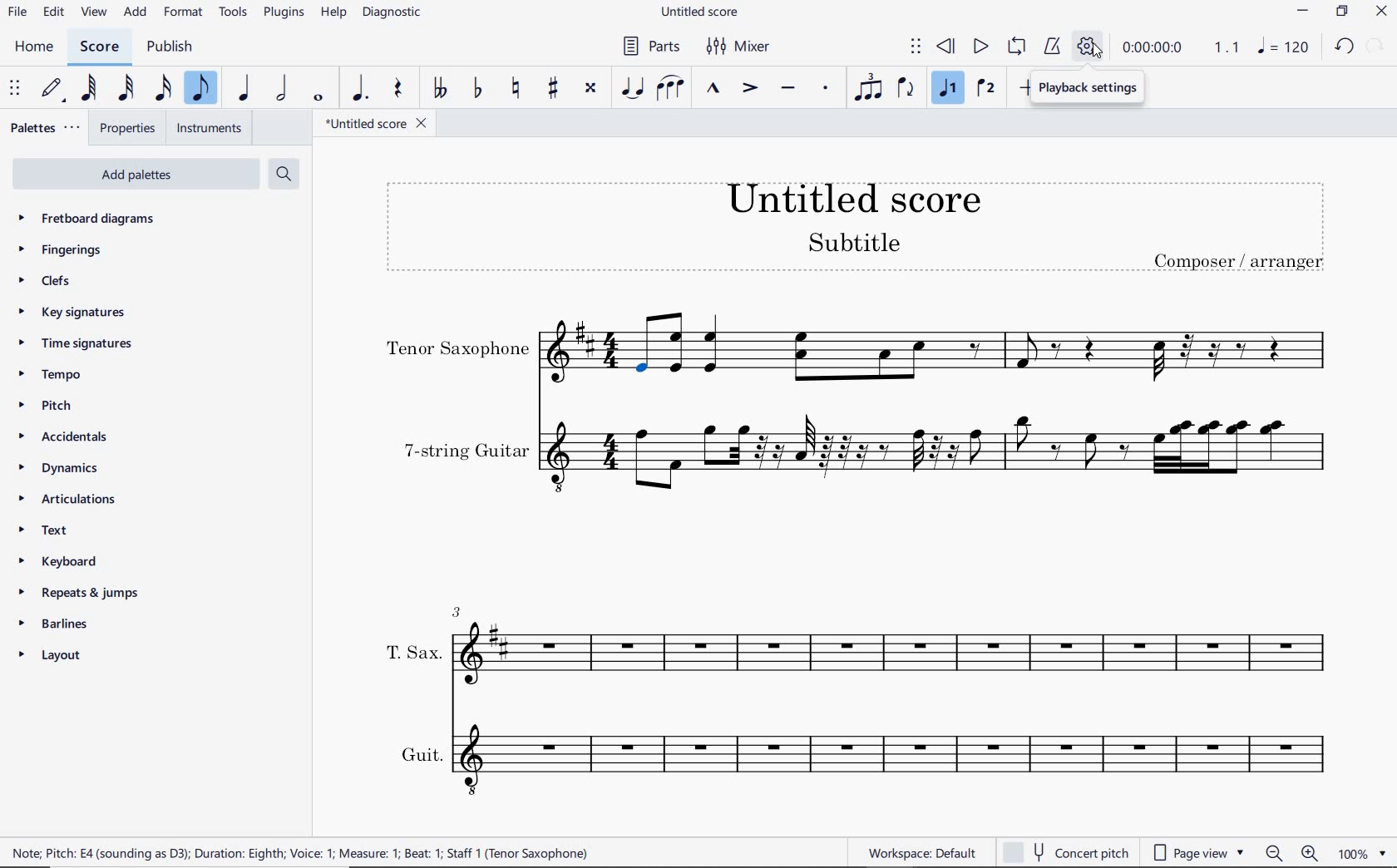 This screenshot has width=1397, height=868. I want to click on CLOSE, so click(1380, 13).